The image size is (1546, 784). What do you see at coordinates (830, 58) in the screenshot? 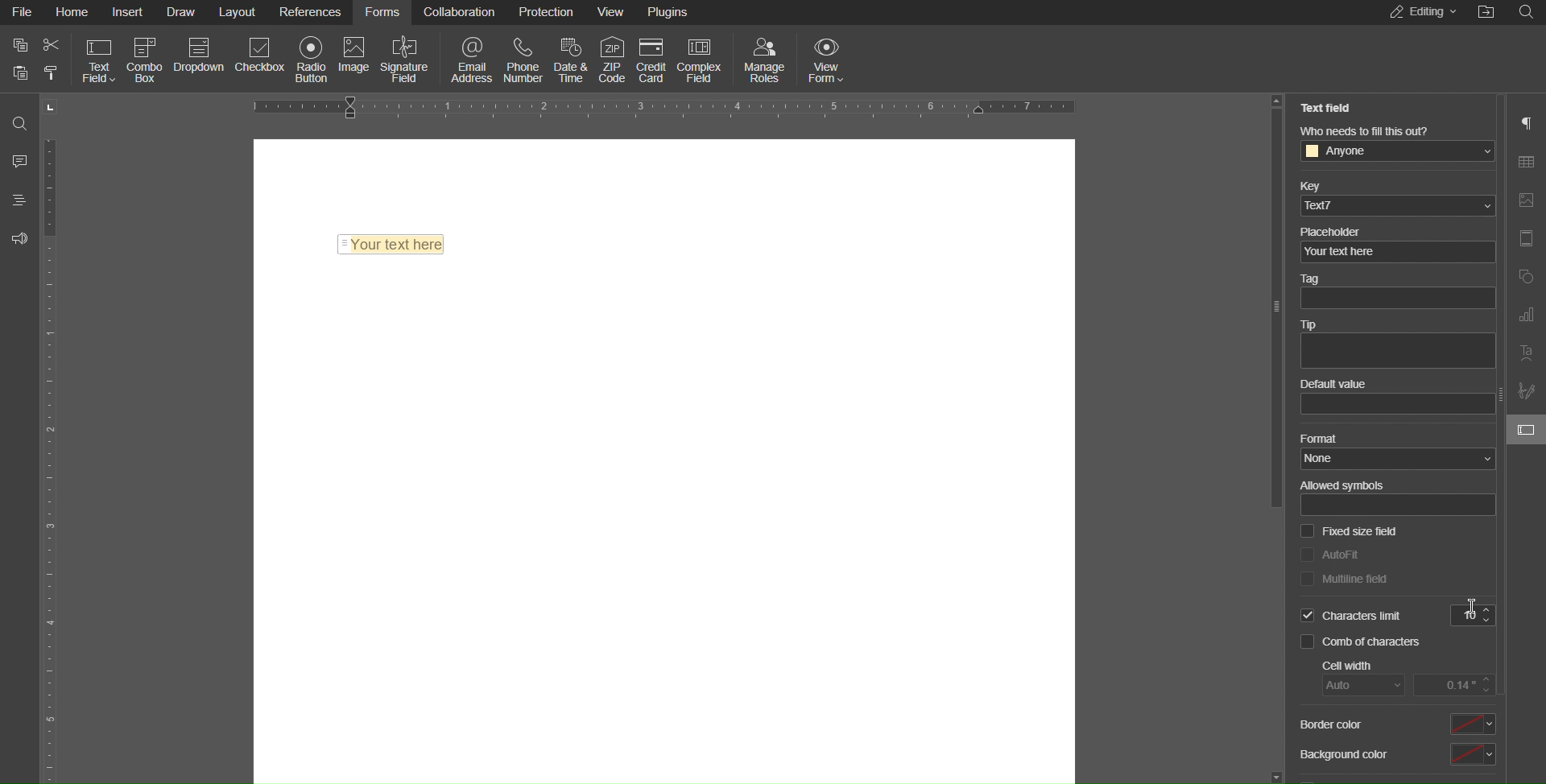
I see `View Form` at bounding box center [830, 58].